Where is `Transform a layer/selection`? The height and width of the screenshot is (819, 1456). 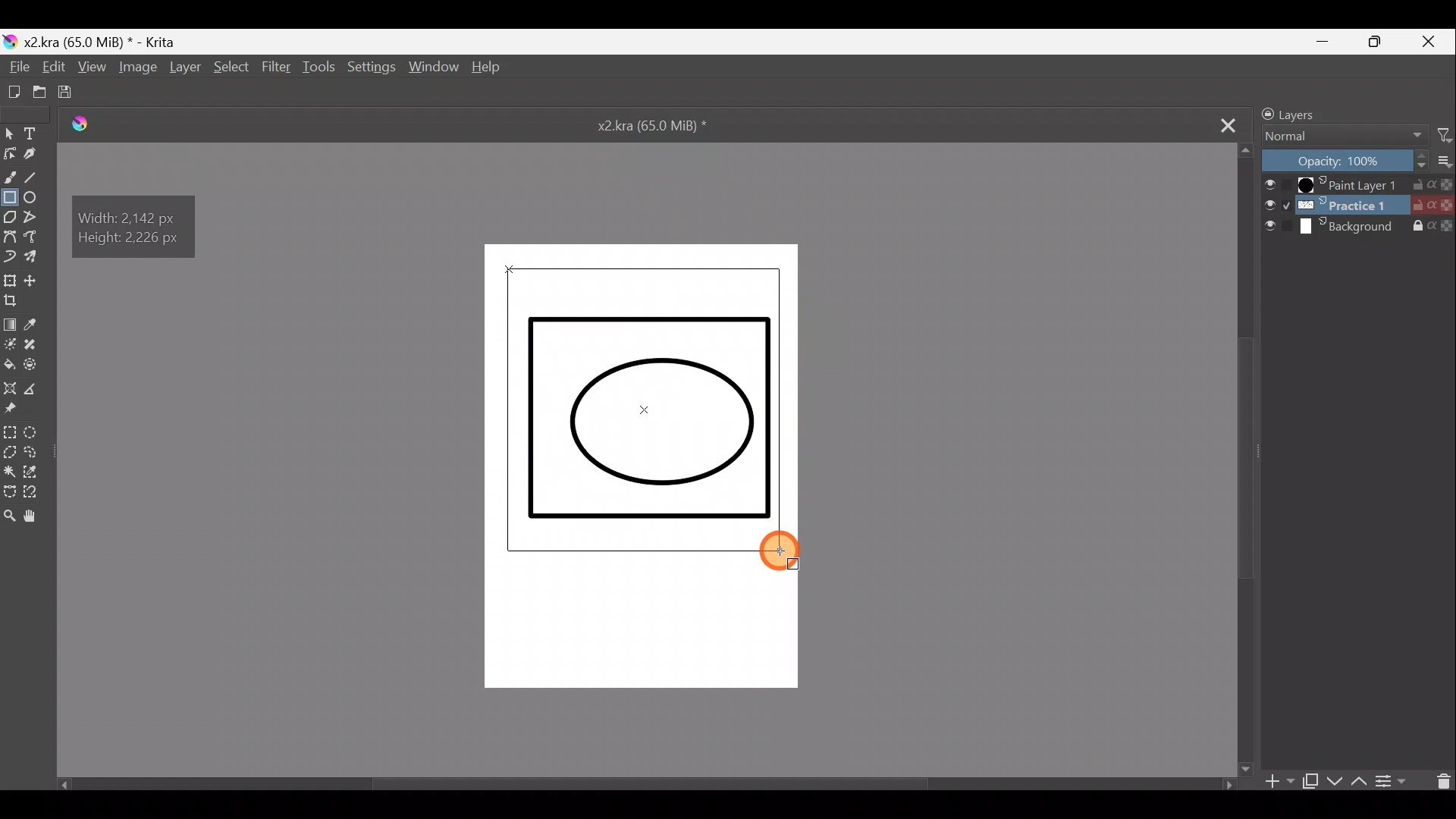 Transform a layer/selection is located at coordinates (9, 278).